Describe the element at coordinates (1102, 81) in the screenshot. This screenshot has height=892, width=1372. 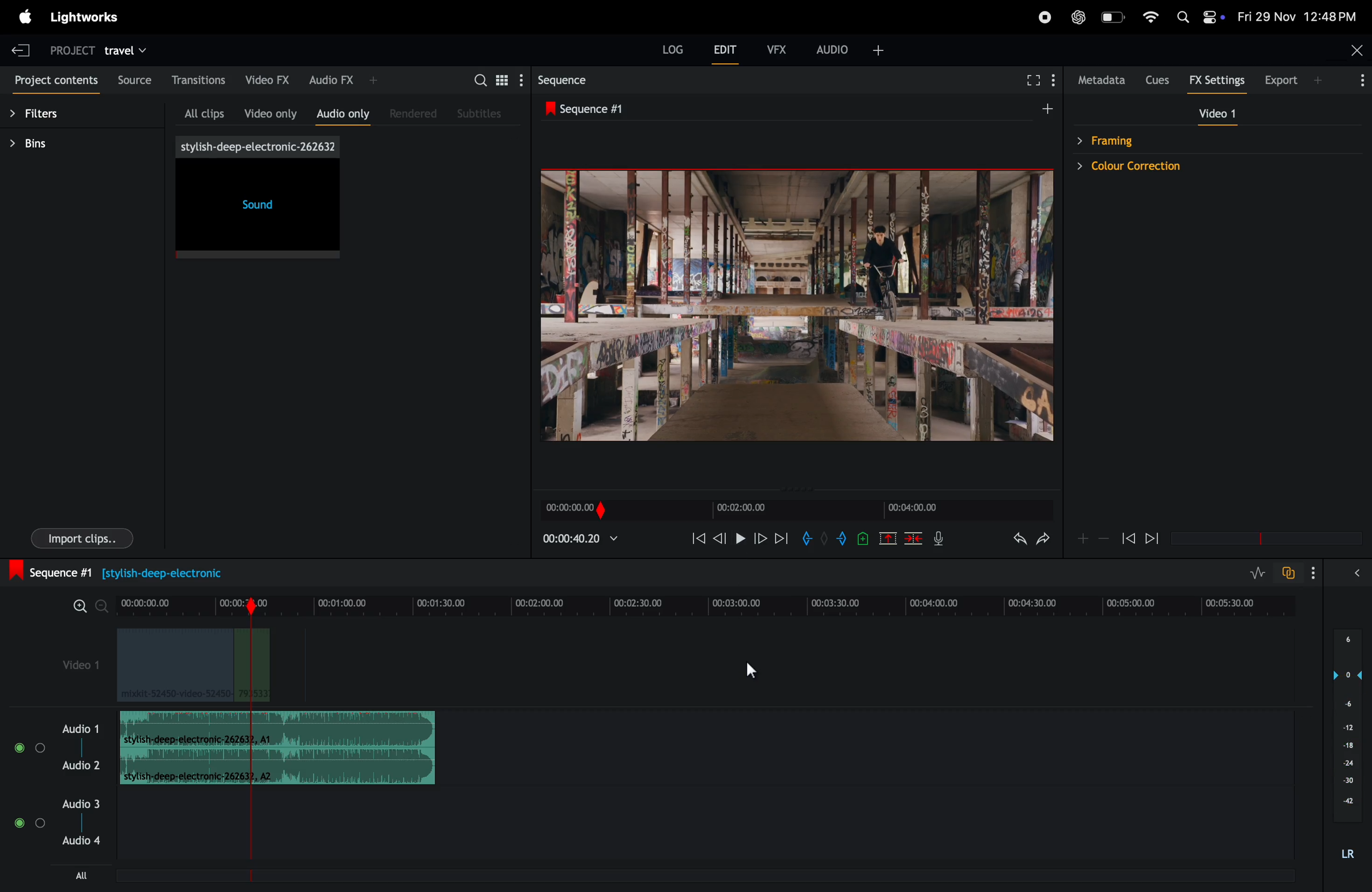
I see `meta data` at that location.